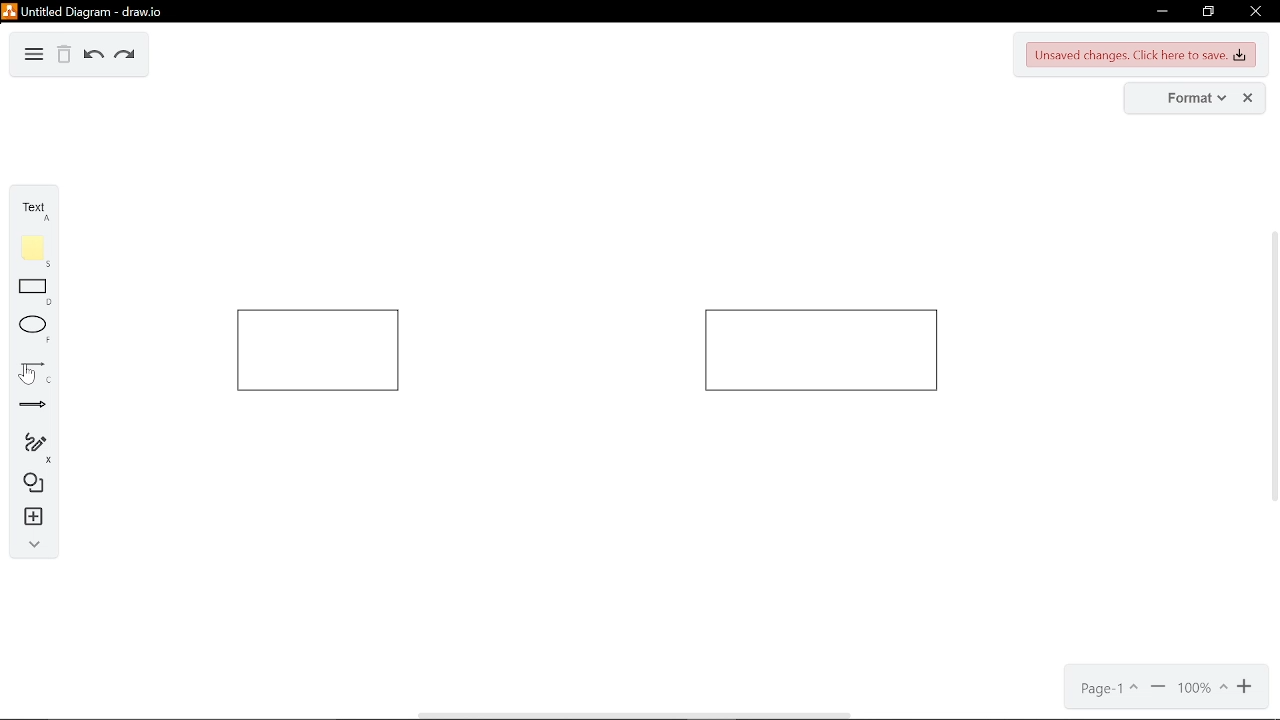 Image resolution: width=1280 pixels, height=720 pixels. I want to click on arrows, so click(27, 406).